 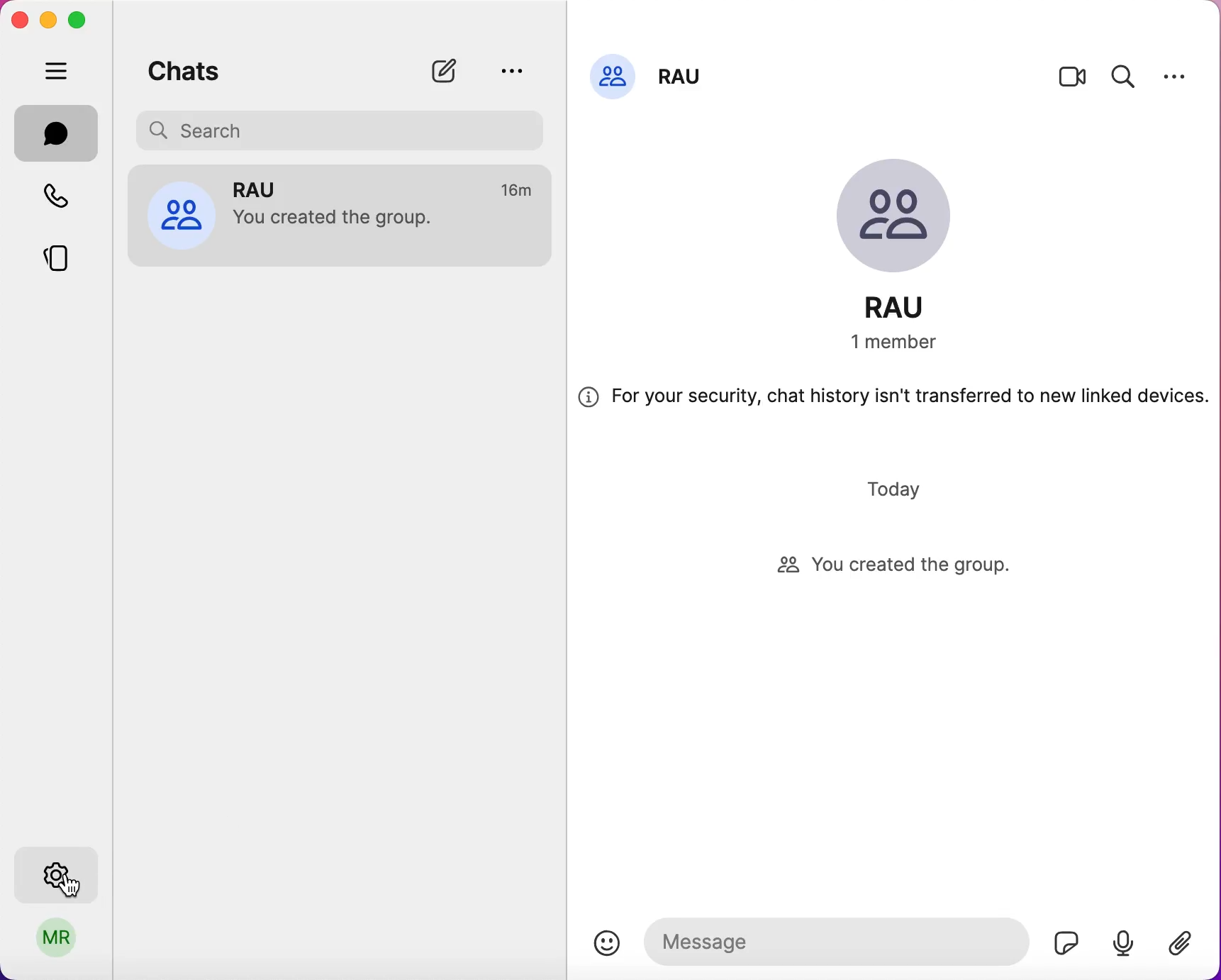 What do you see at coordinates (833, 940) in the screenshot?
I see `message` at bounding box center [833, 940].